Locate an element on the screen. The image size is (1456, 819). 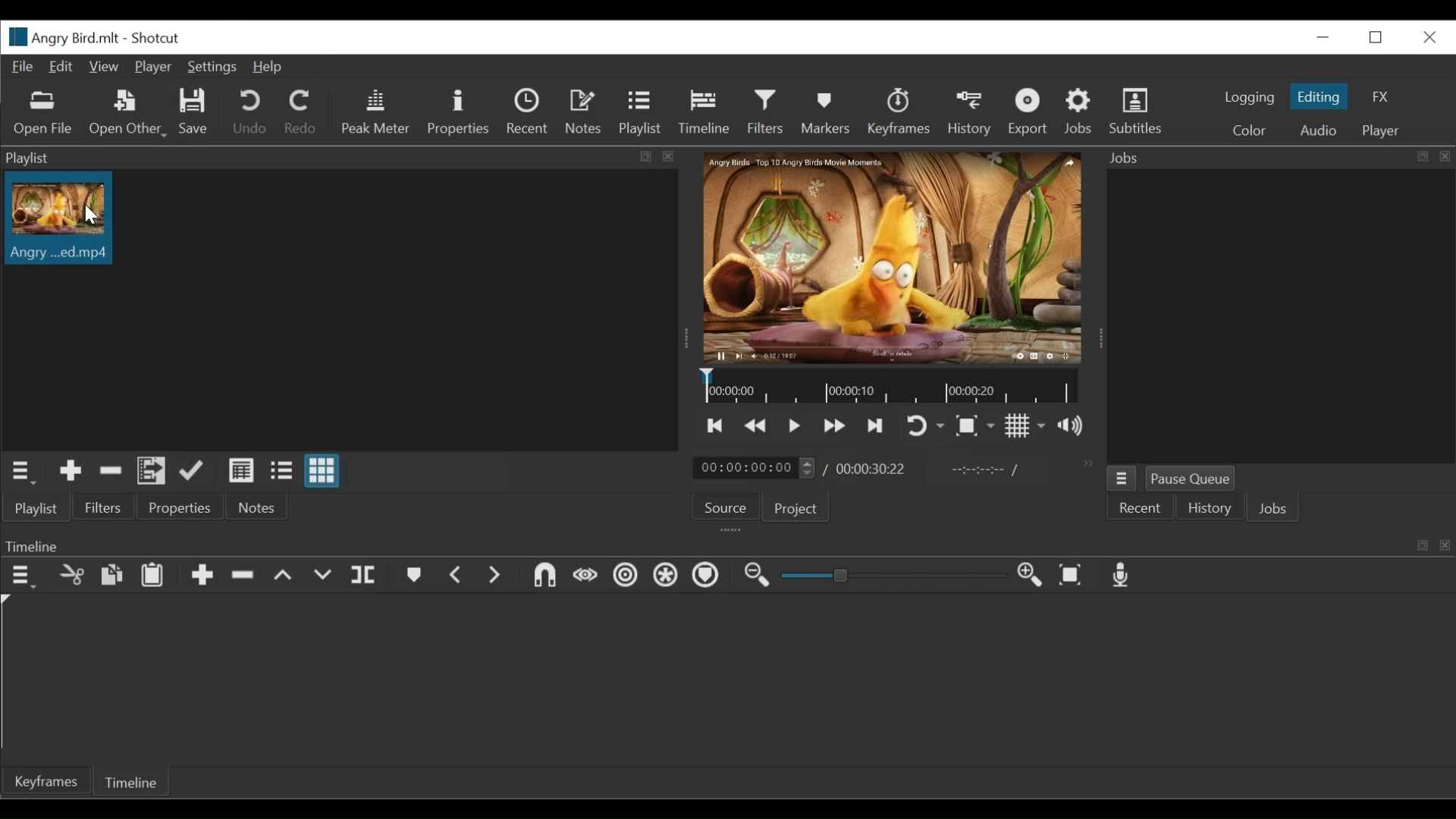
Close is located at coordinates (1428, 38).